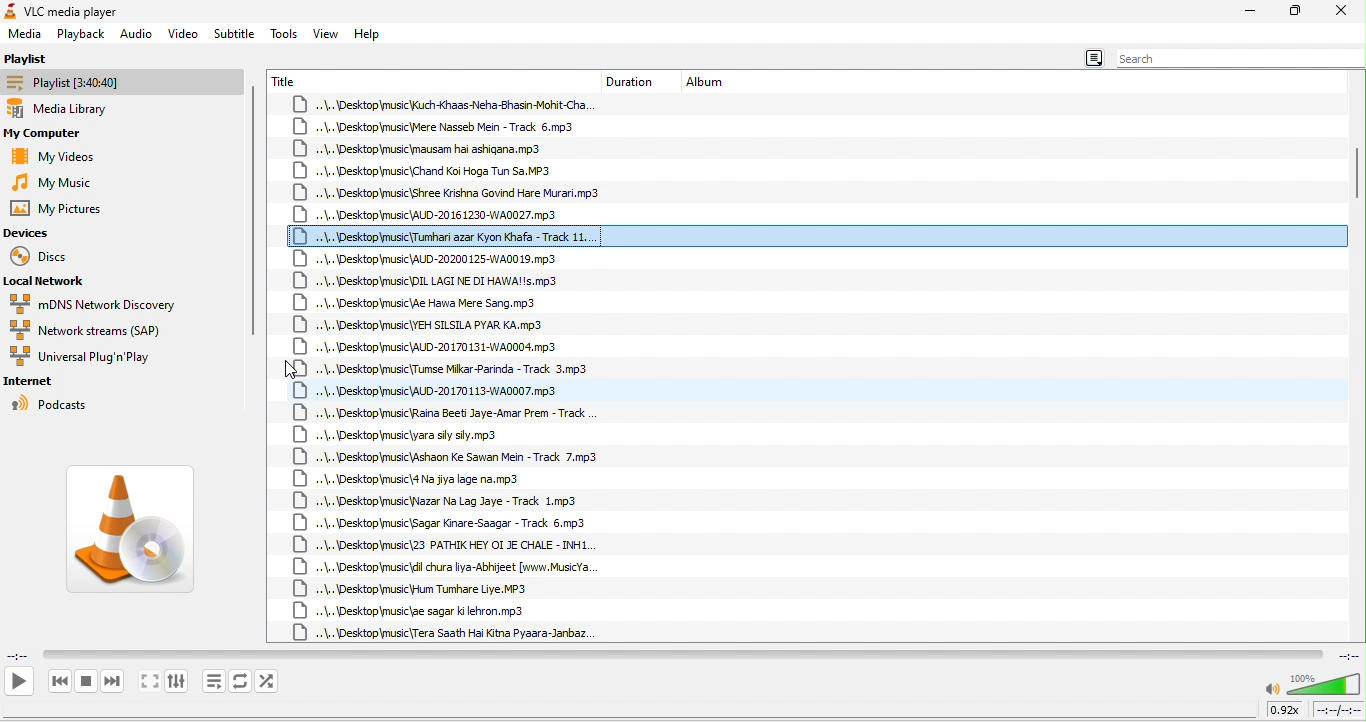 This screenshot has width=1366, height=722. I want to click on ..\..\Desktop\music\Tumse Mikar-Parinda - Track 3.mp3, so click(446, 368).